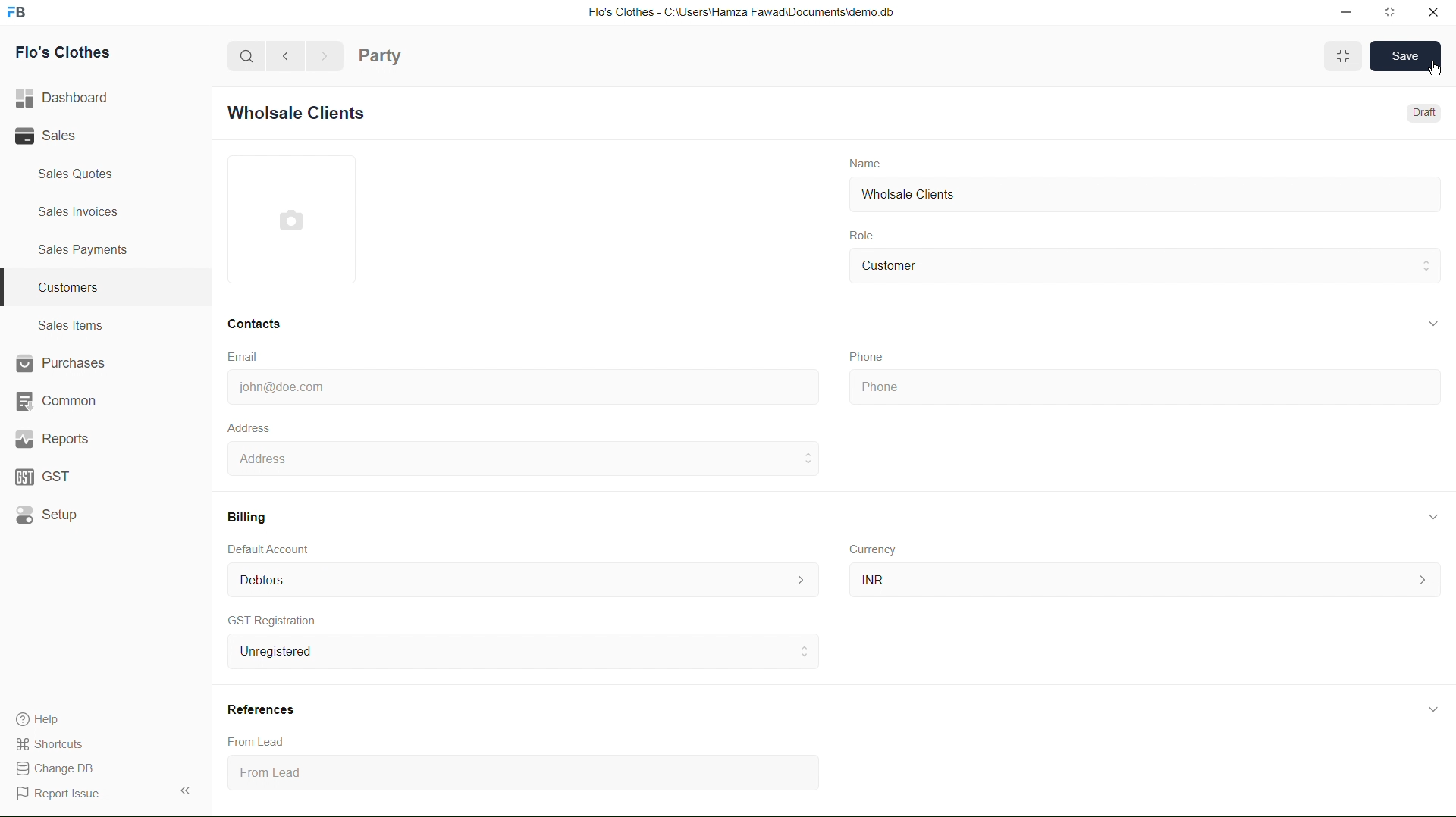  What do you see at coordinates (290, 56) in the screenshot?
I see `back` at bounding box center [290, 56].